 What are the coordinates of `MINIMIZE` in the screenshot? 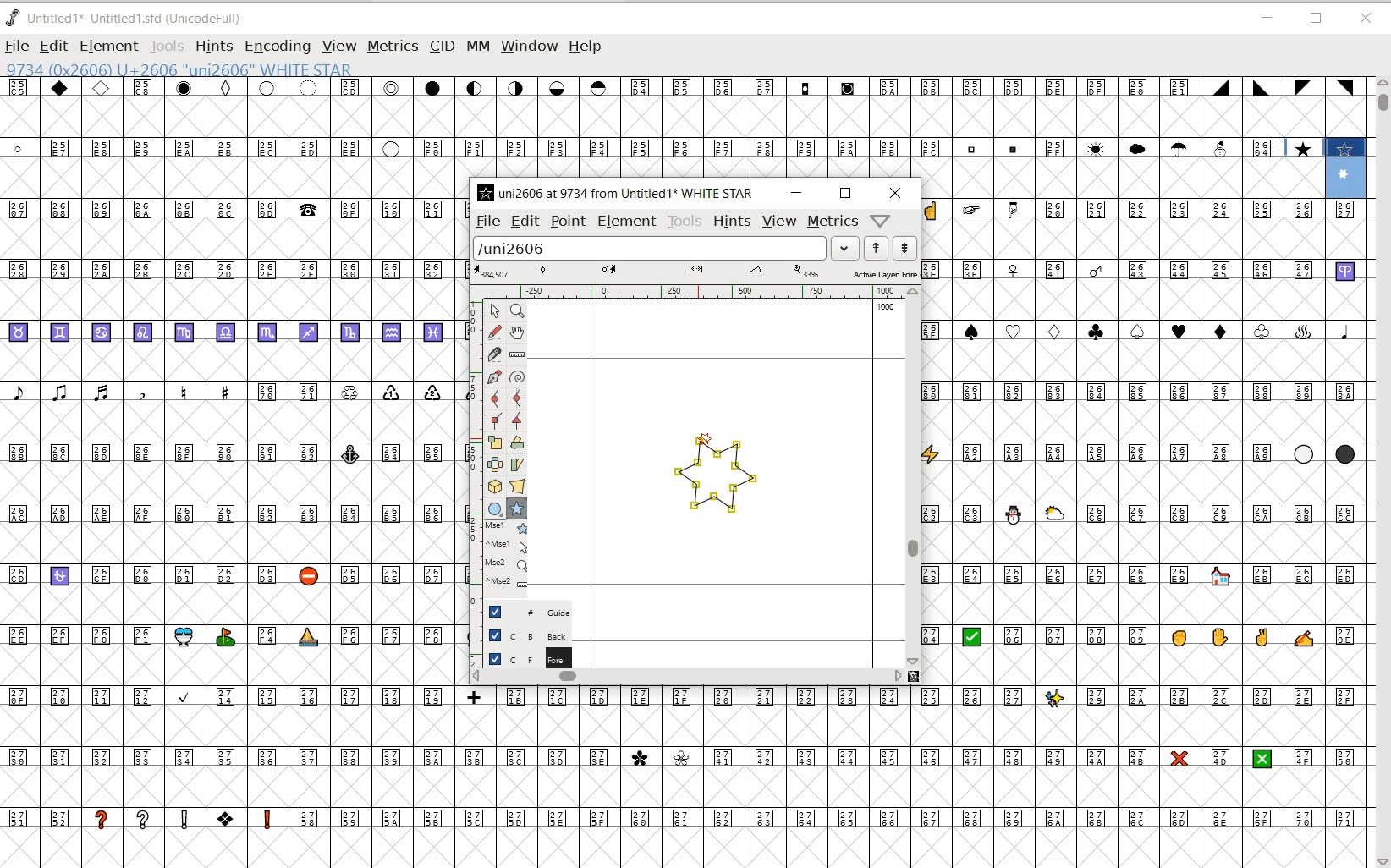 It's located at (796, 193).